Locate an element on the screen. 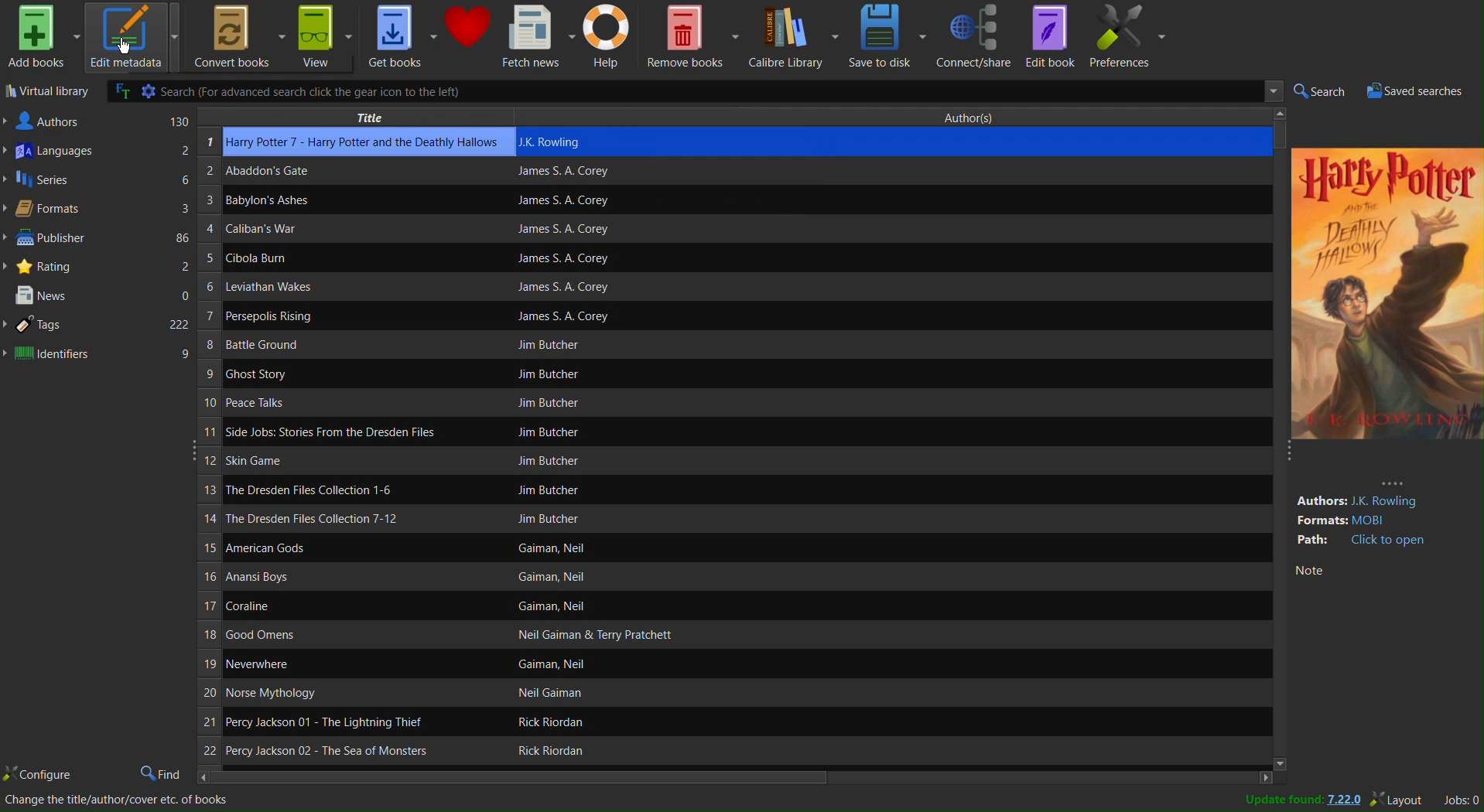 The image size is (1484, 812). Favorite is located at coordinates (468, 36).